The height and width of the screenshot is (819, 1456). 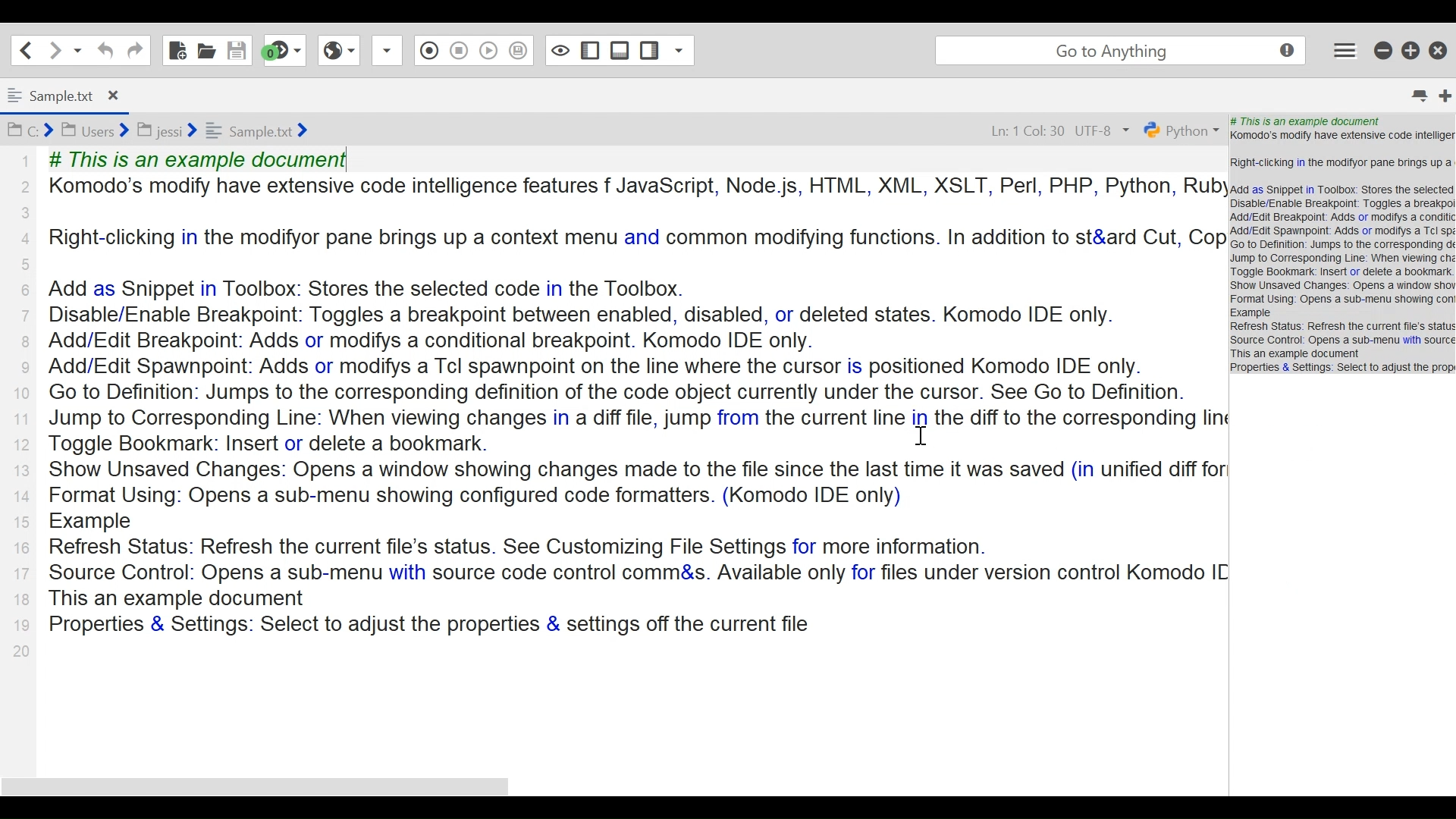 I want to click on Show/Hide Left pane, so click(x=561, y=50).